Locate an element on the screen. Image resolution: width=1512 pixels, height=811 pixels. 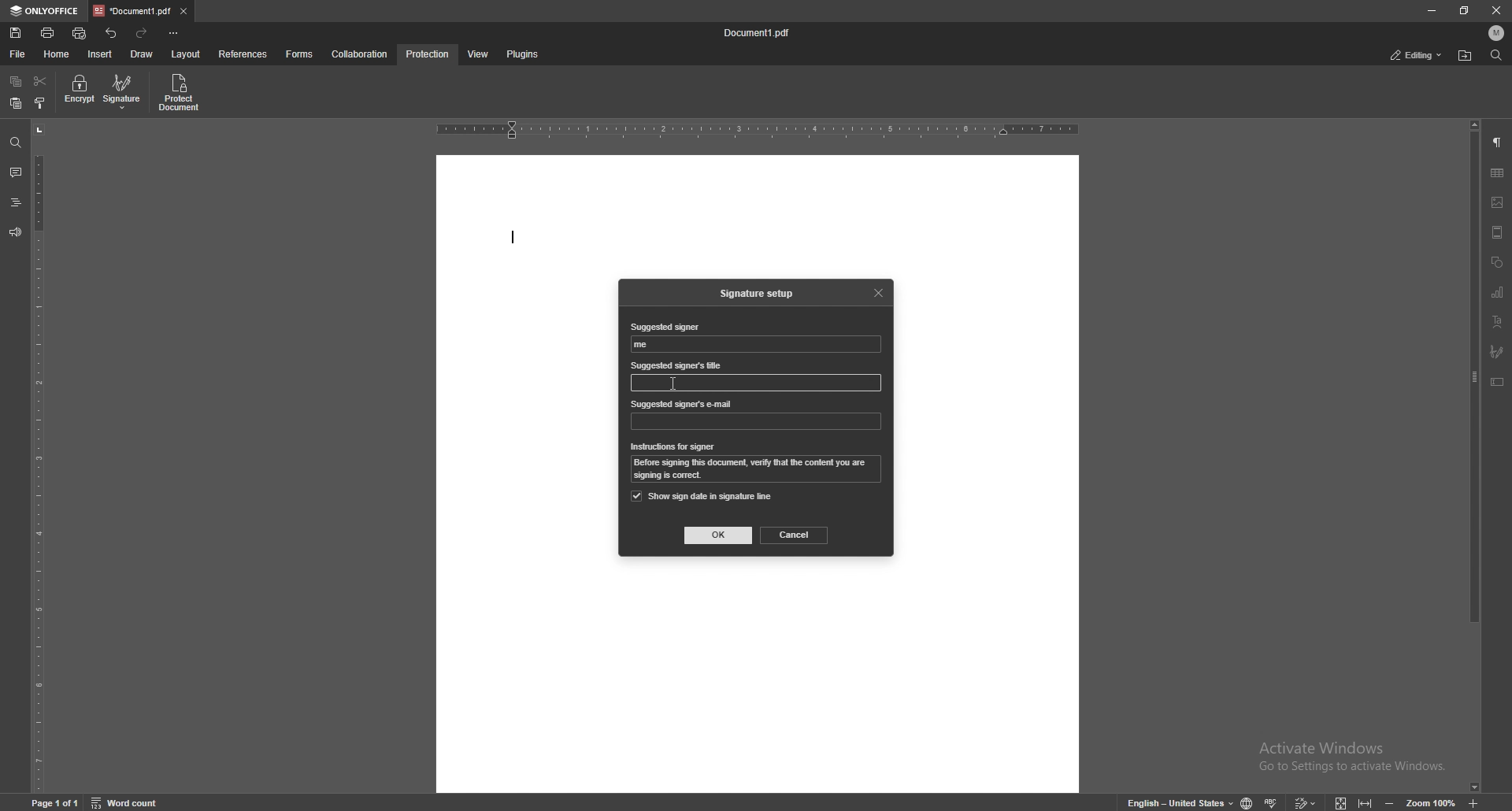
tab is located at coordinates (132, 10).